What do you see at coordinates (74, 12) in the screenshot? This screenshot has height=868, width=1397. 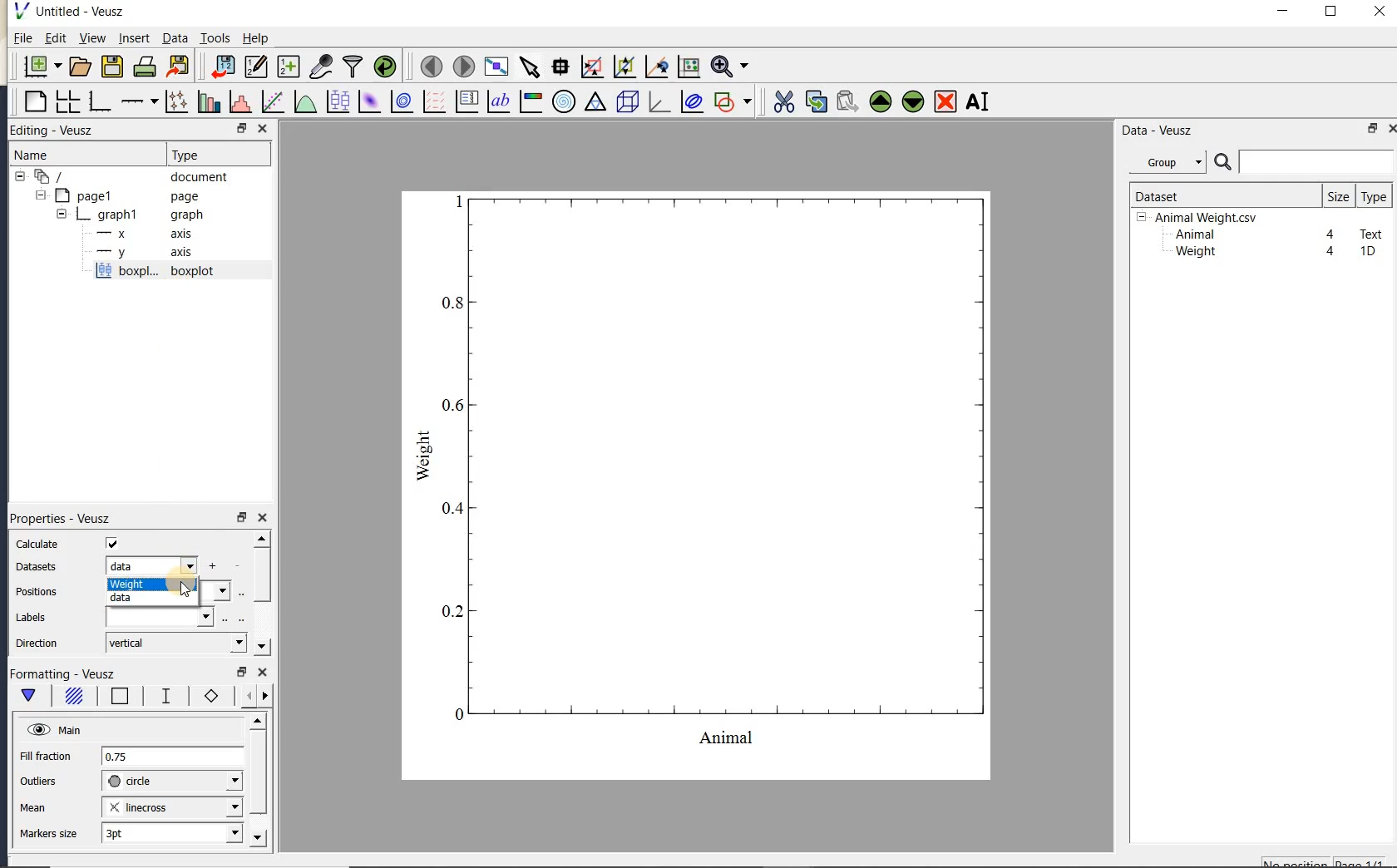 I see `Untitled-Veusz` at bounding box center [74, 12].